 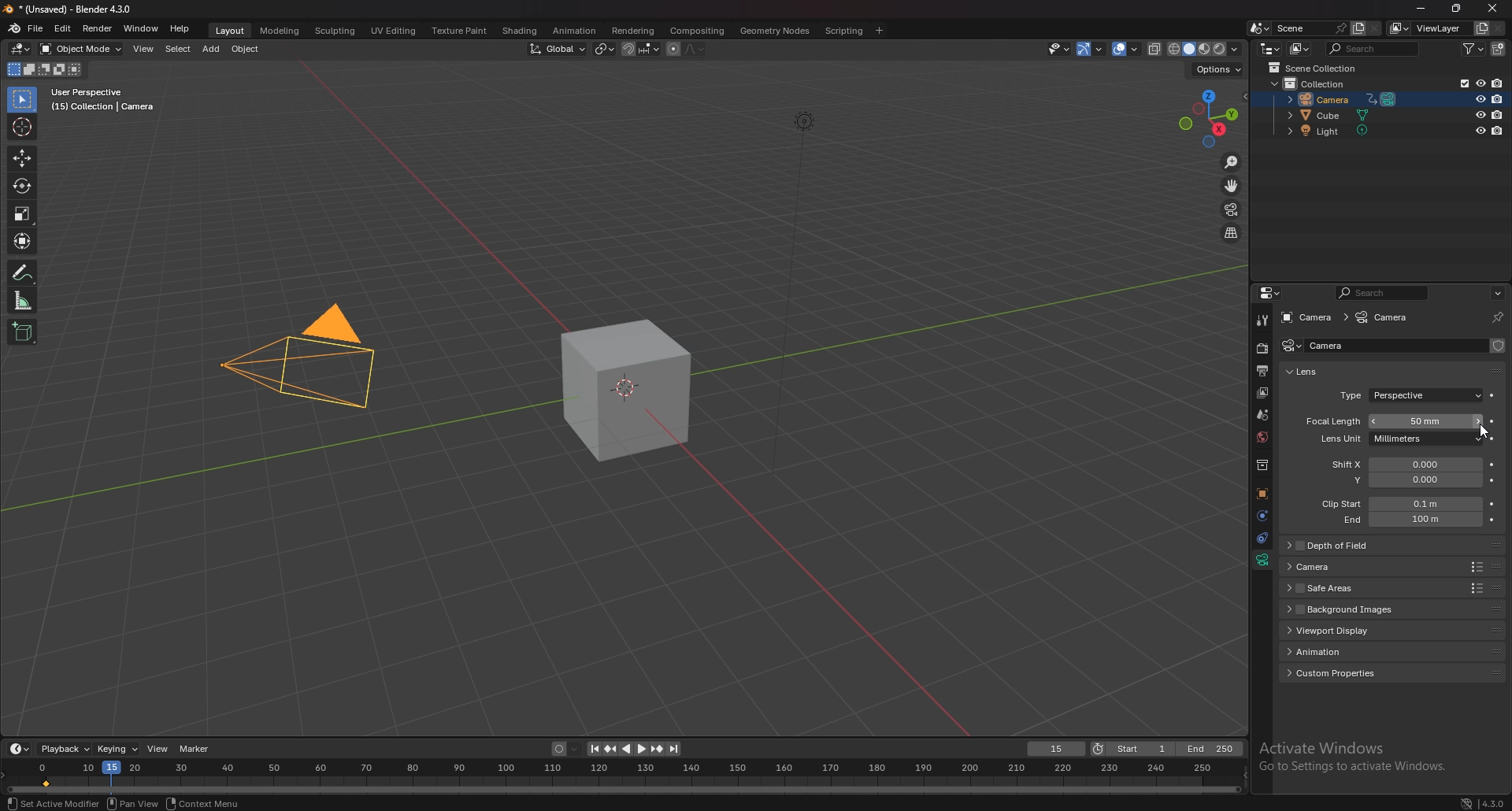 What do you see at coordinates (24, 272) in the screenshot?
I see `annotate` at bounding box center [24, 272].